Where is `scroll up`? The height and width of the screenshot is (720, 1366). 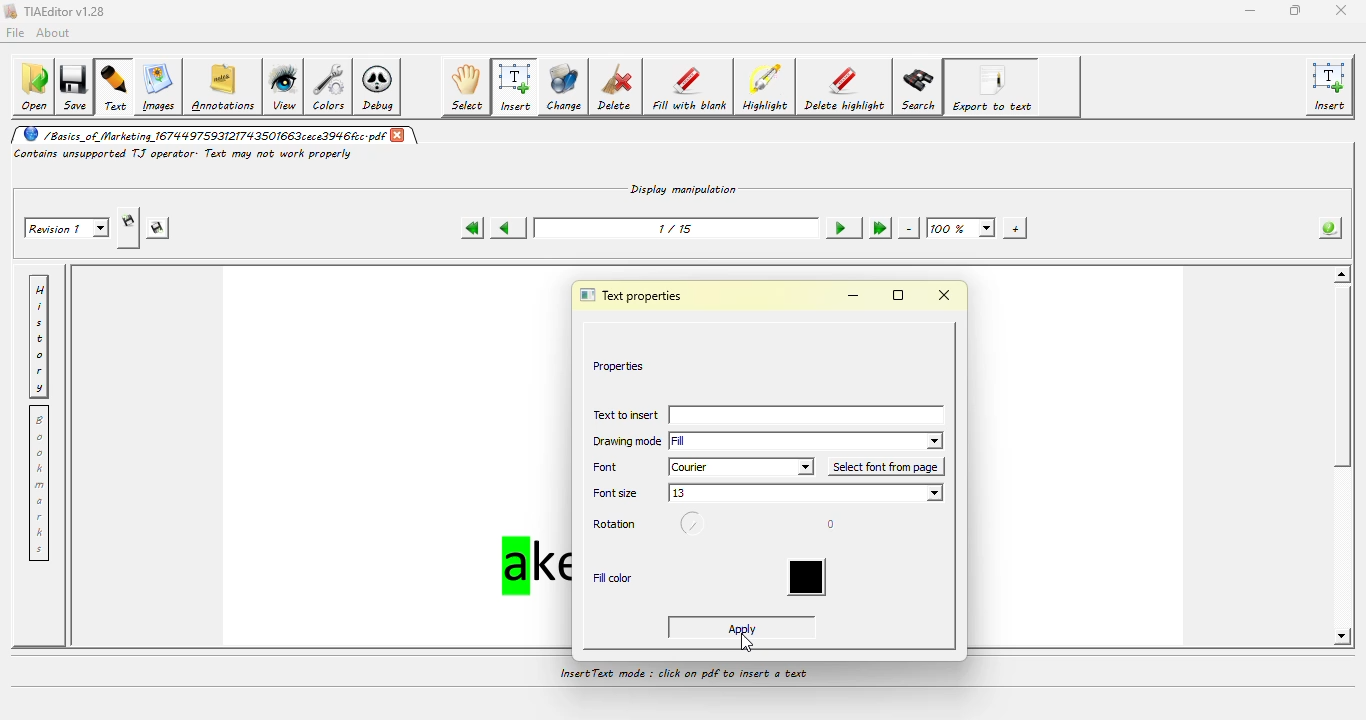 scroll up is located at coordinates (1340, 274).